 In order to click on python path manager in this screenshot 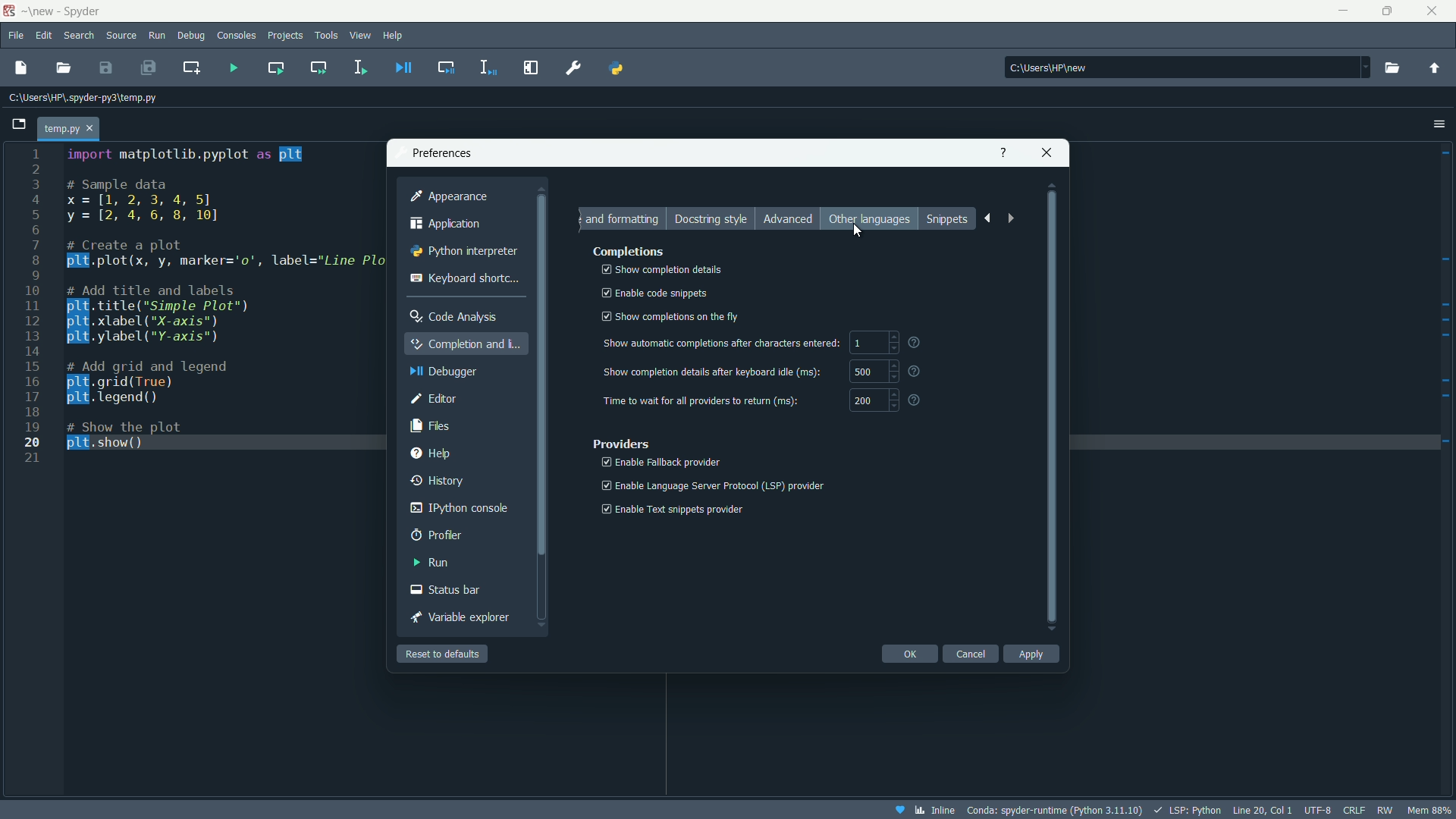, I will do `click(616, 67)`.